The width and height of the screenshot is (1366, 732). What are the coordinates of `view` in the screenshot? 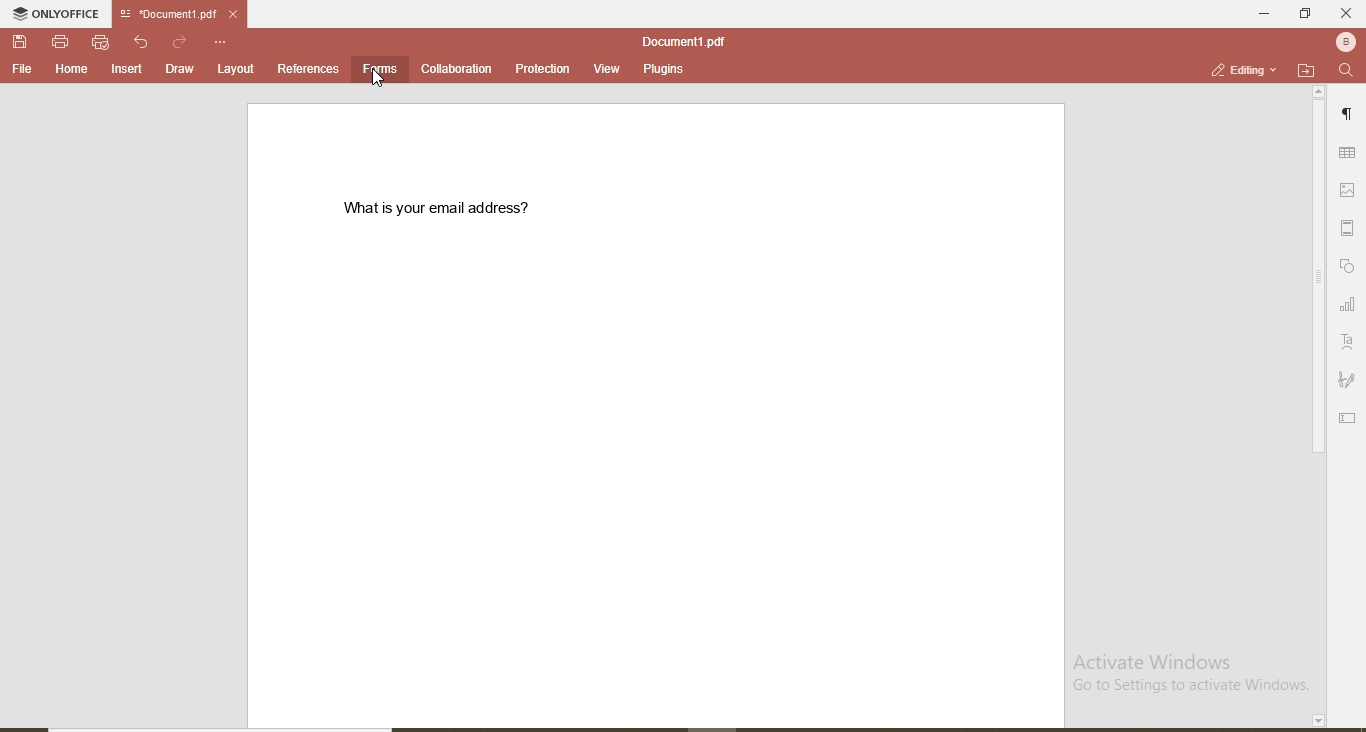 It's located at (601, 66).